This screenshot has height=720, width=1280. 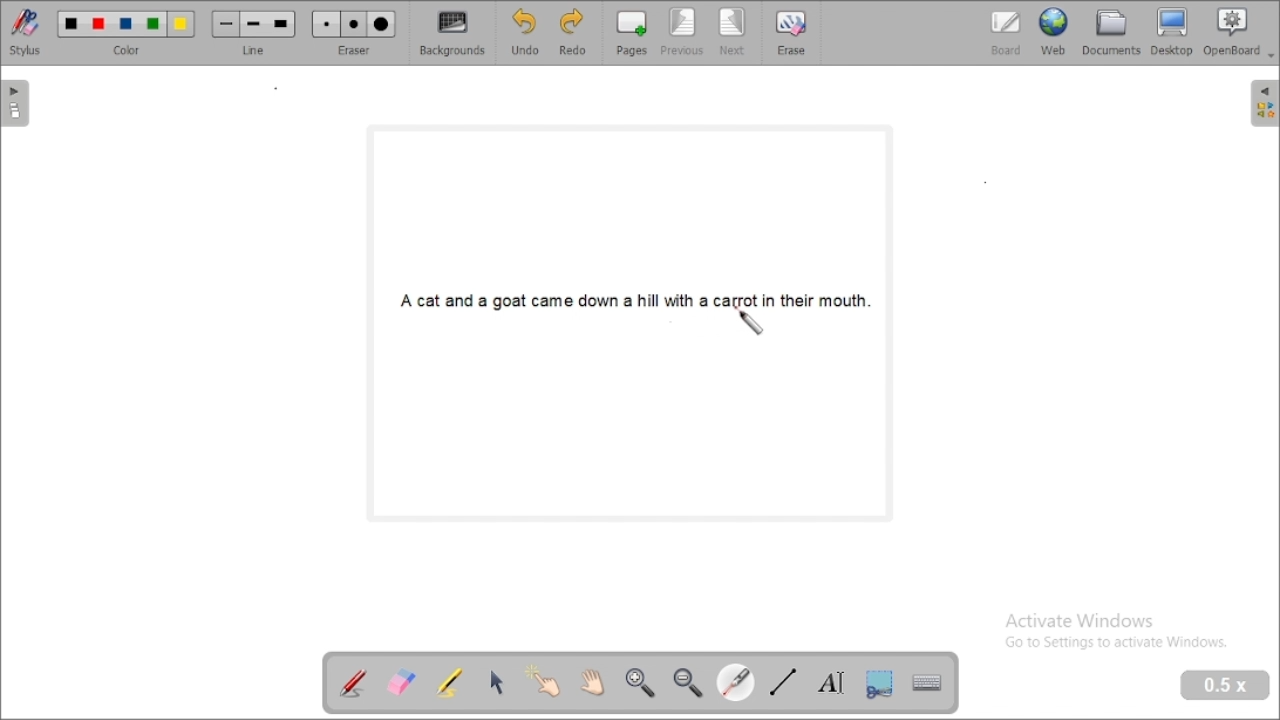 What do you see at coordinates (542, 680) in the screenshot?
I see `interact with items` at bounding box center [542, 680].